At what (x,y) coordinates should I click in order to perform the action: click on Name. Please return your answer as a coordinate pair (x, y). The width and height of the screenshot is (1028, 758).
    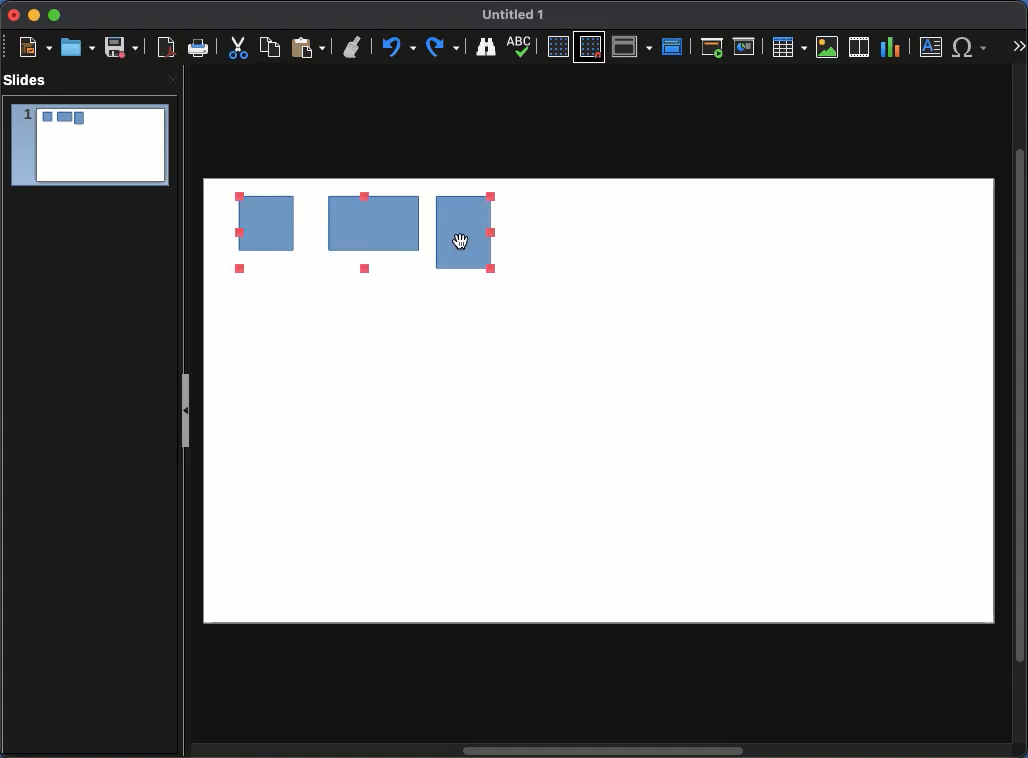
    Looking at the image, I should click on (518, 16).